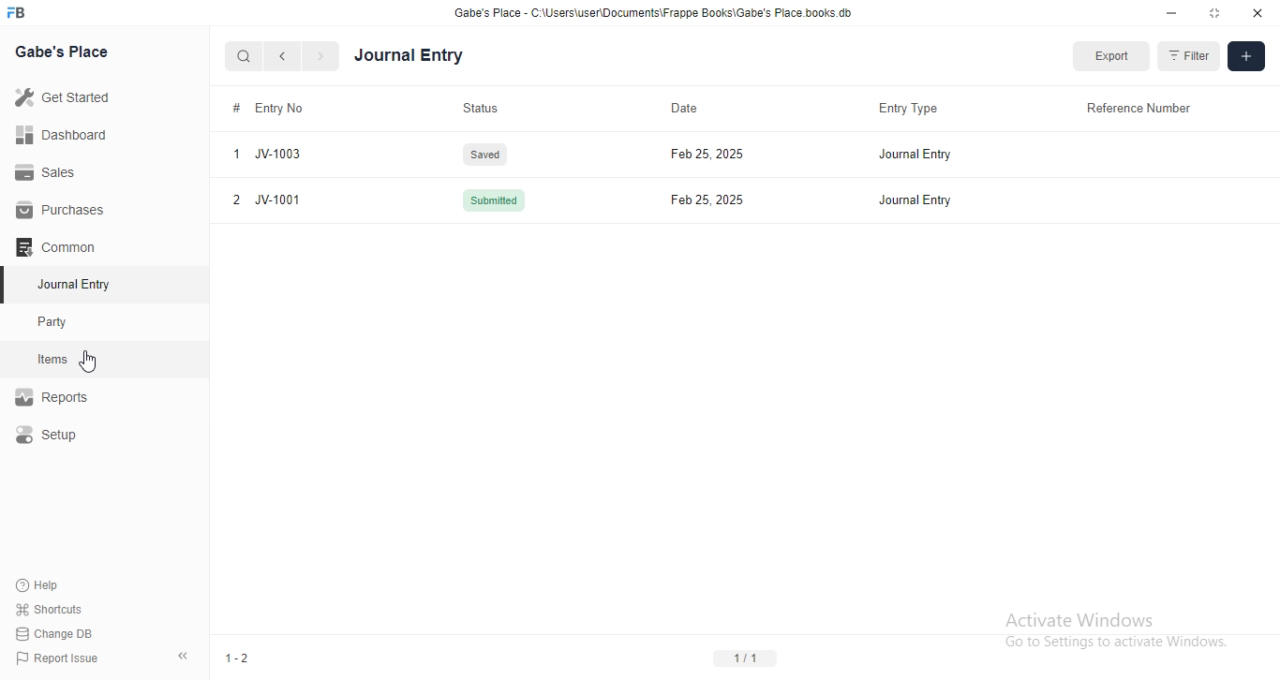 This screenshot has height=680, width=1280. What do you see at coordinates (52, 171) in the screenshot?
I see `Sales` at bounding box center [52, 171].